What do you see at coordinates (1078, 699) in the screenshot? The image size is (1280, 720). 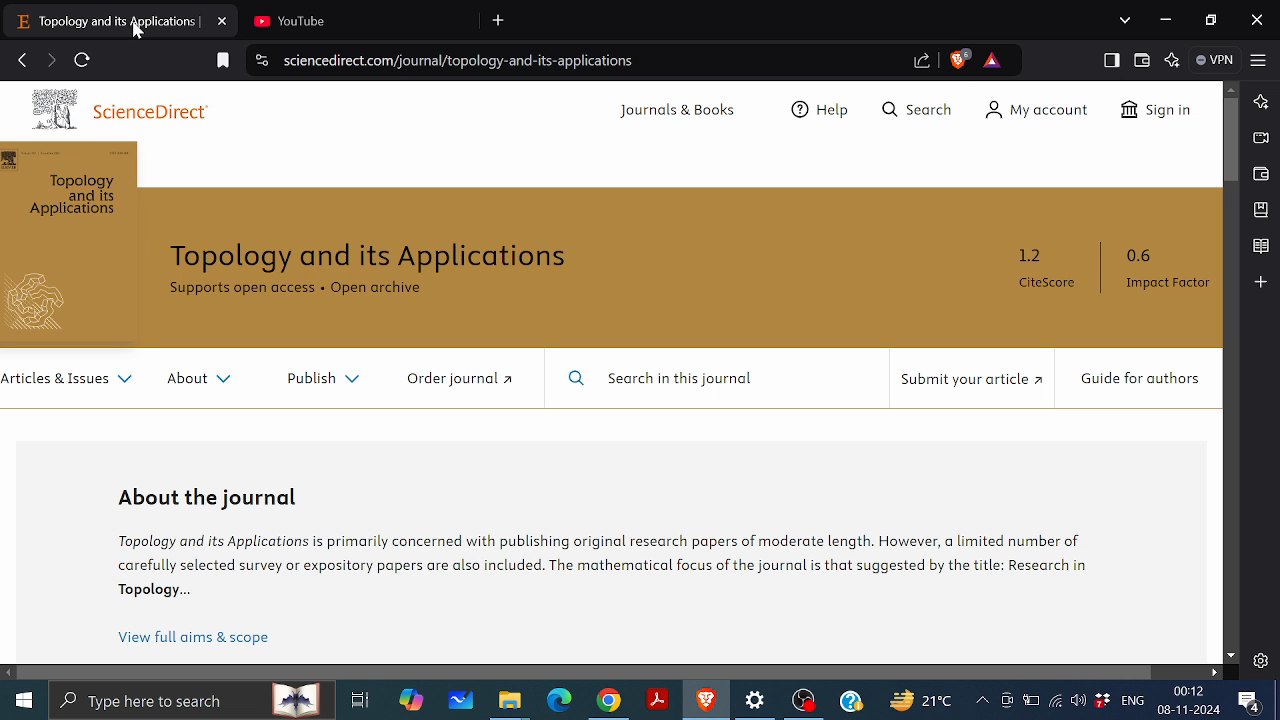 I see `Speaker/headphones` at bounding box center [1078, 699].